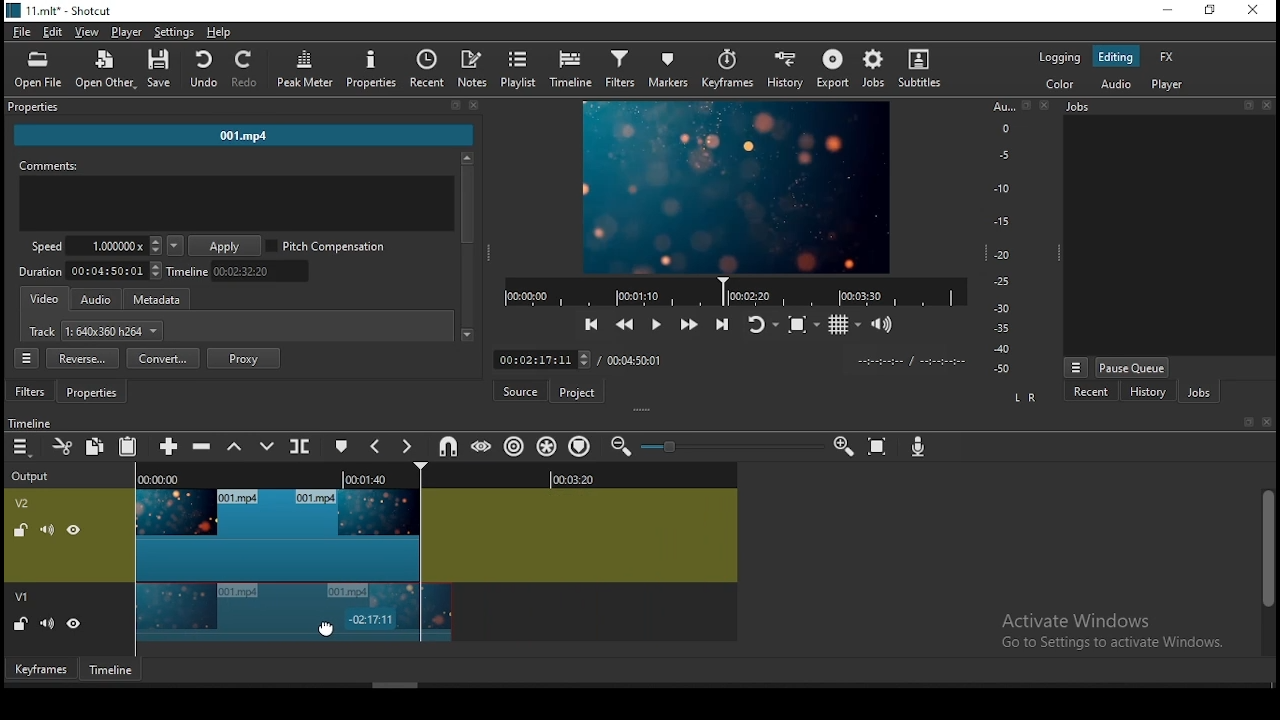 This screenshot has width=1280, height=720. Describe the element at coordinates (64, 448) in the screenshot. I see `cut` at that location.